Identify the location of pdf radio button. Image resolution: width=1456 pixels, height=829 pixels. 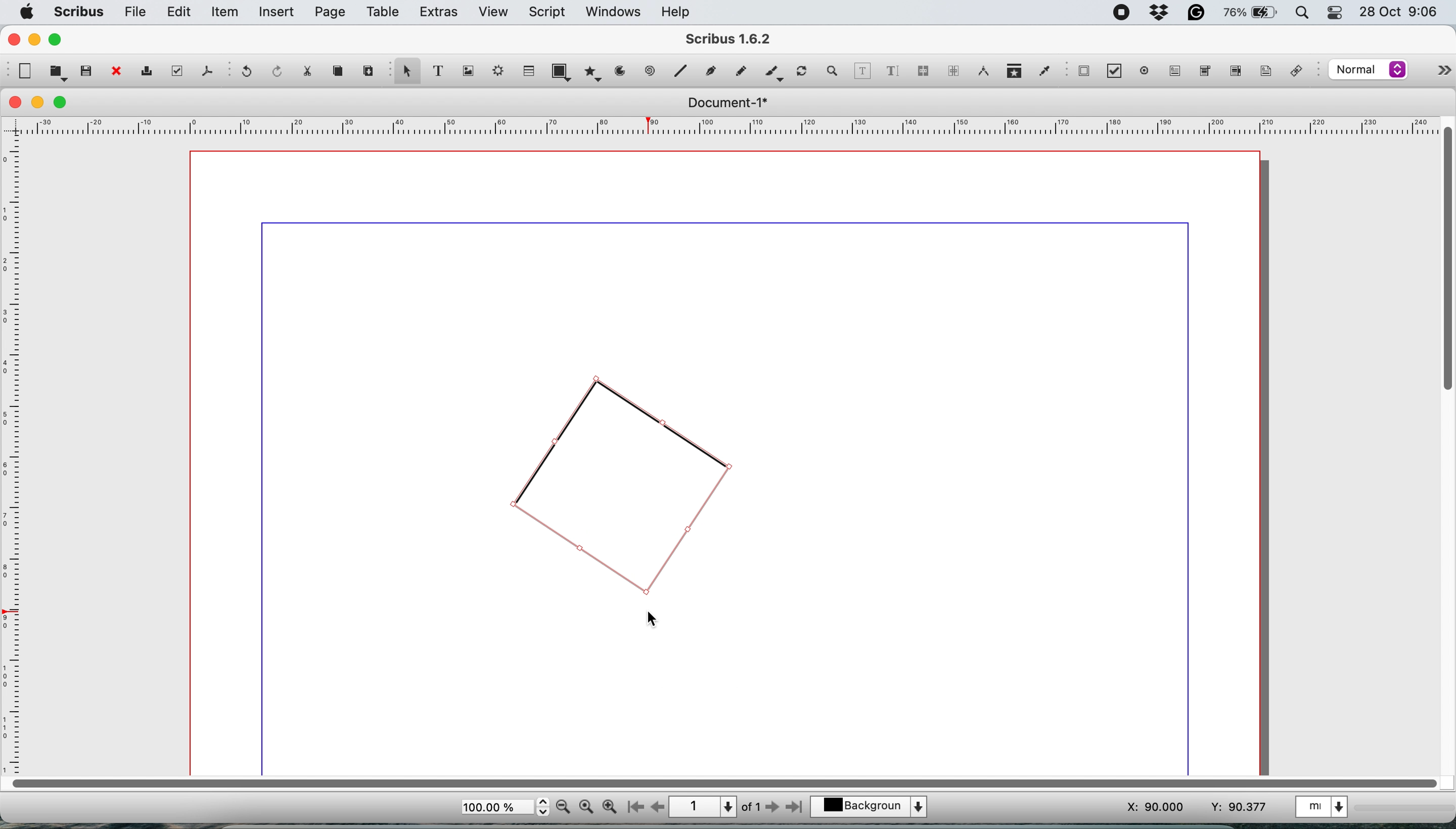
(1142, 71).